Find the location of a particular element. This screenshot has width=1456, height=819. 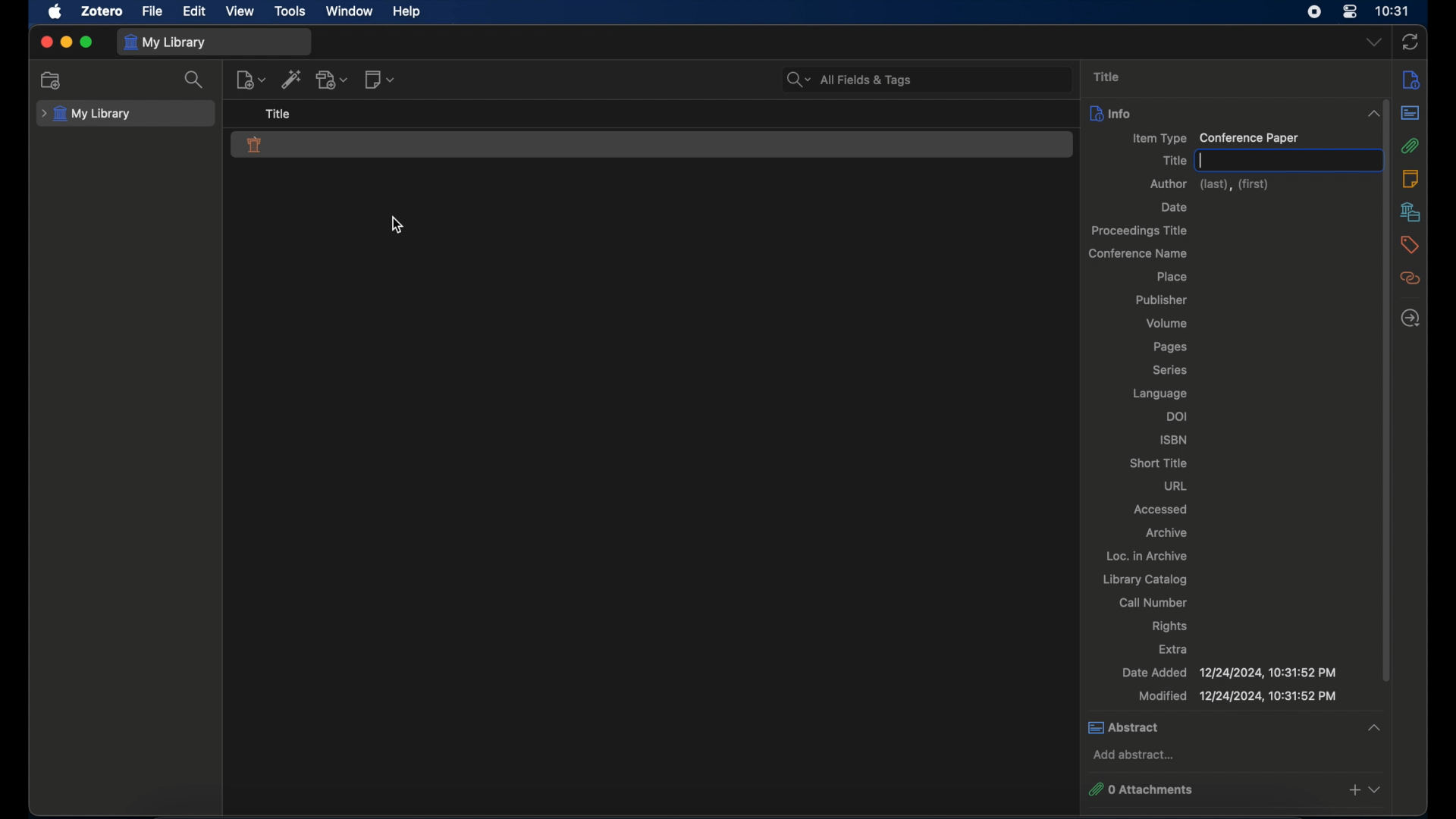

related is located at coordinates (1410, 278).